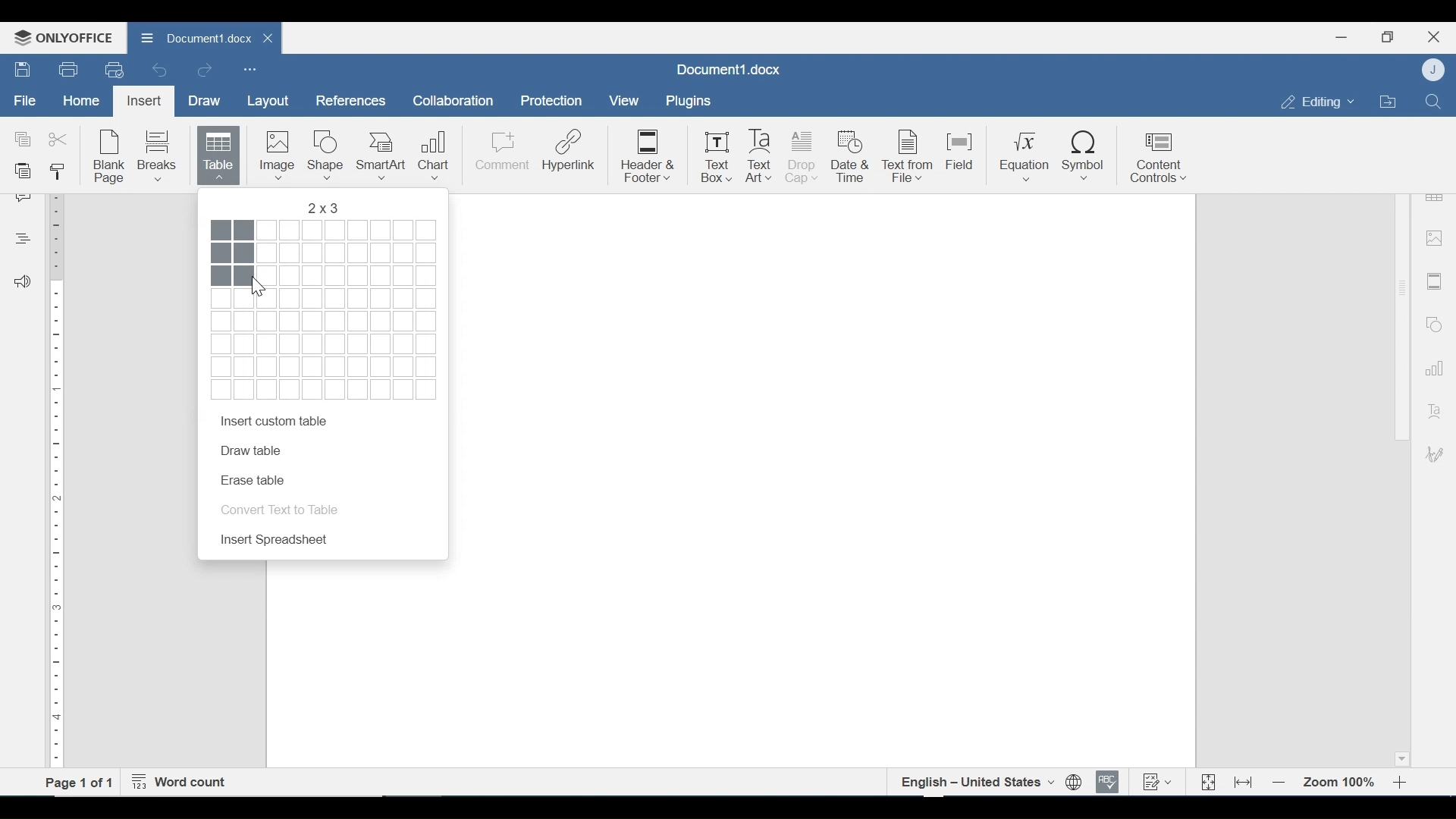 Image resolution: width=1456 pixels, height=819 pixels. I want to click on Draw Table, so click(252, 450).